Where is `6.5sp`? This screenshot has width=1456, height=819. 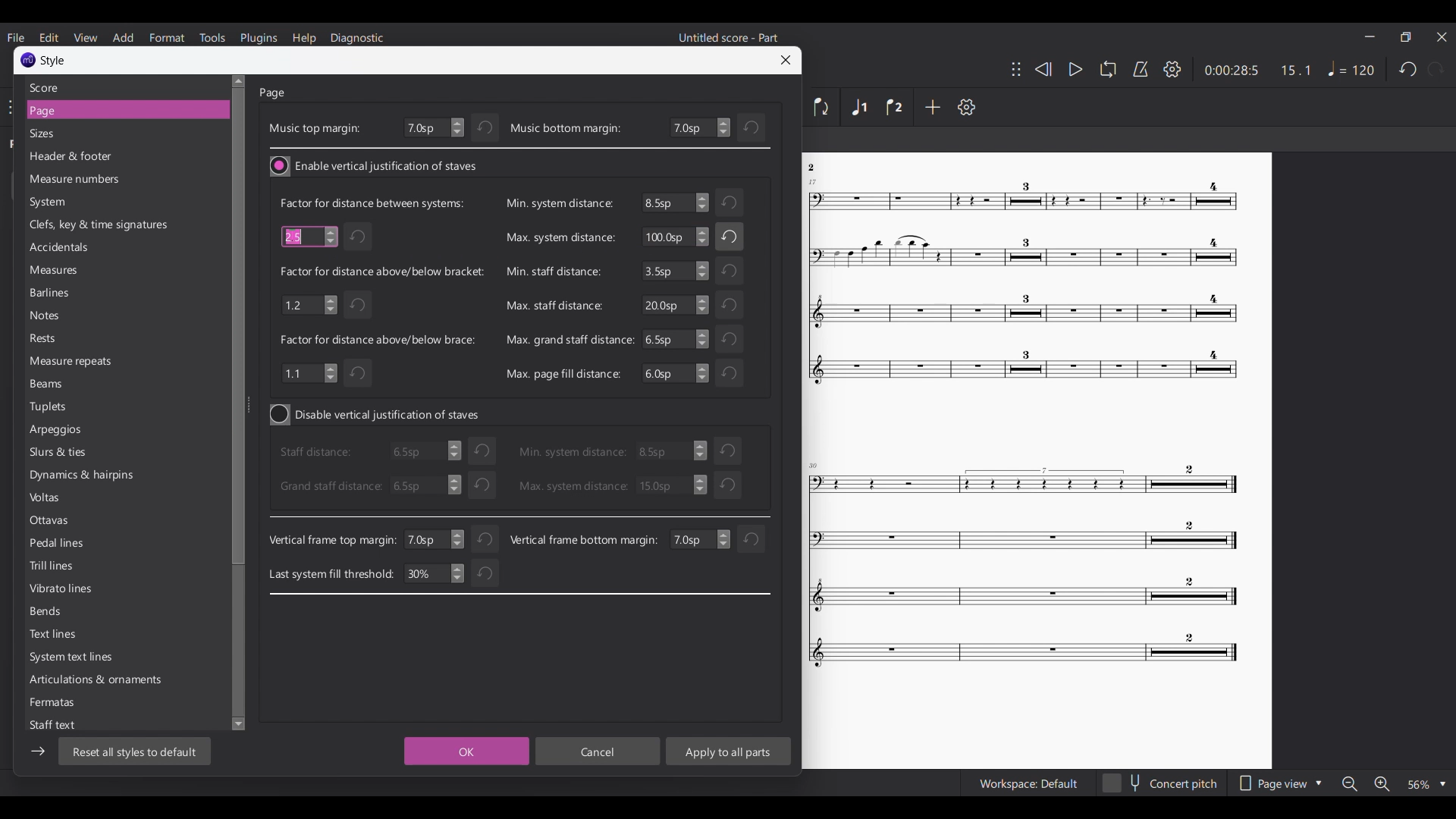 6.5sp is located at coordinates (676, 339).